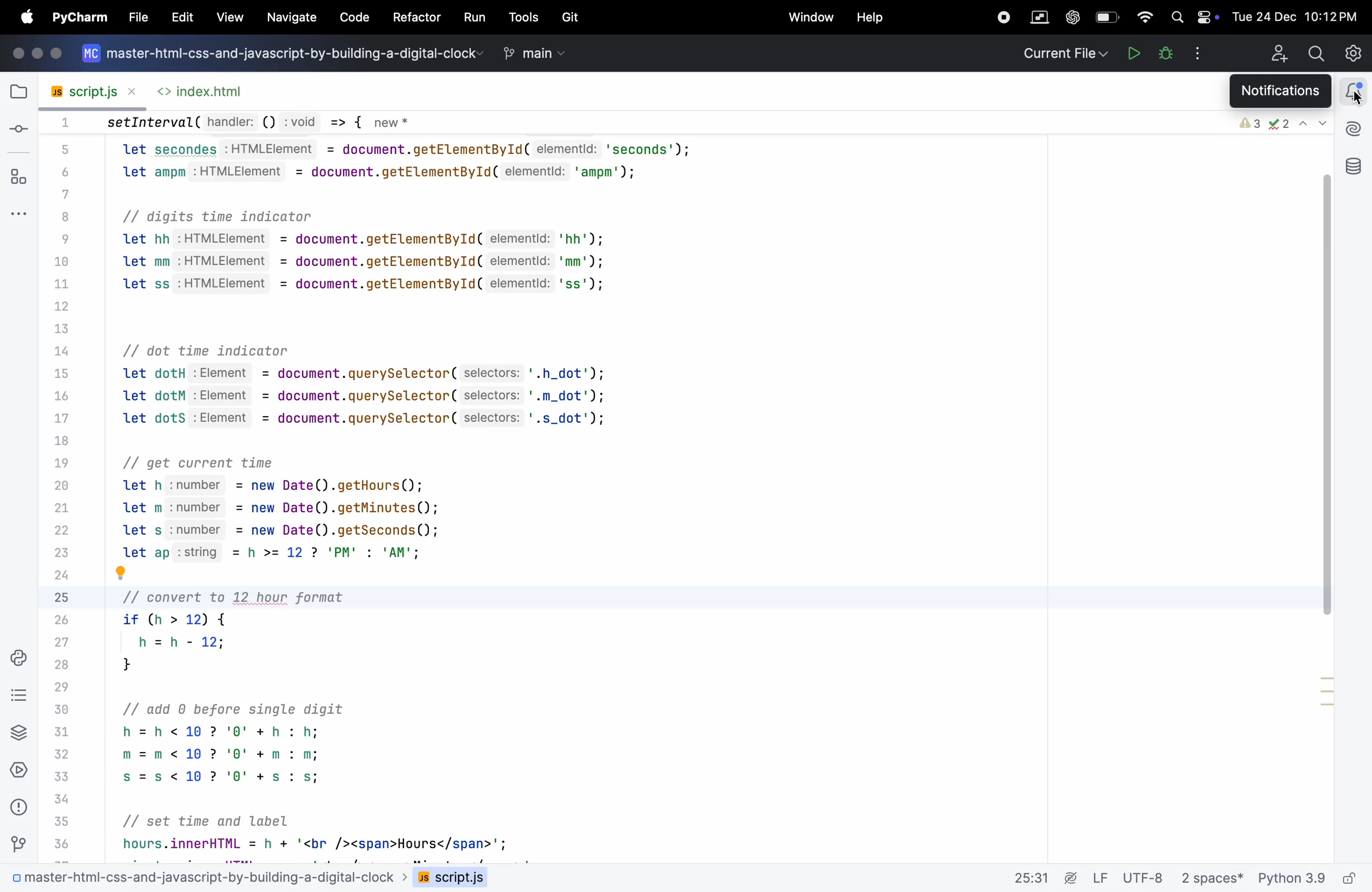 The image size is (1372, 892). I want to click on data base, so click(1352, 164).